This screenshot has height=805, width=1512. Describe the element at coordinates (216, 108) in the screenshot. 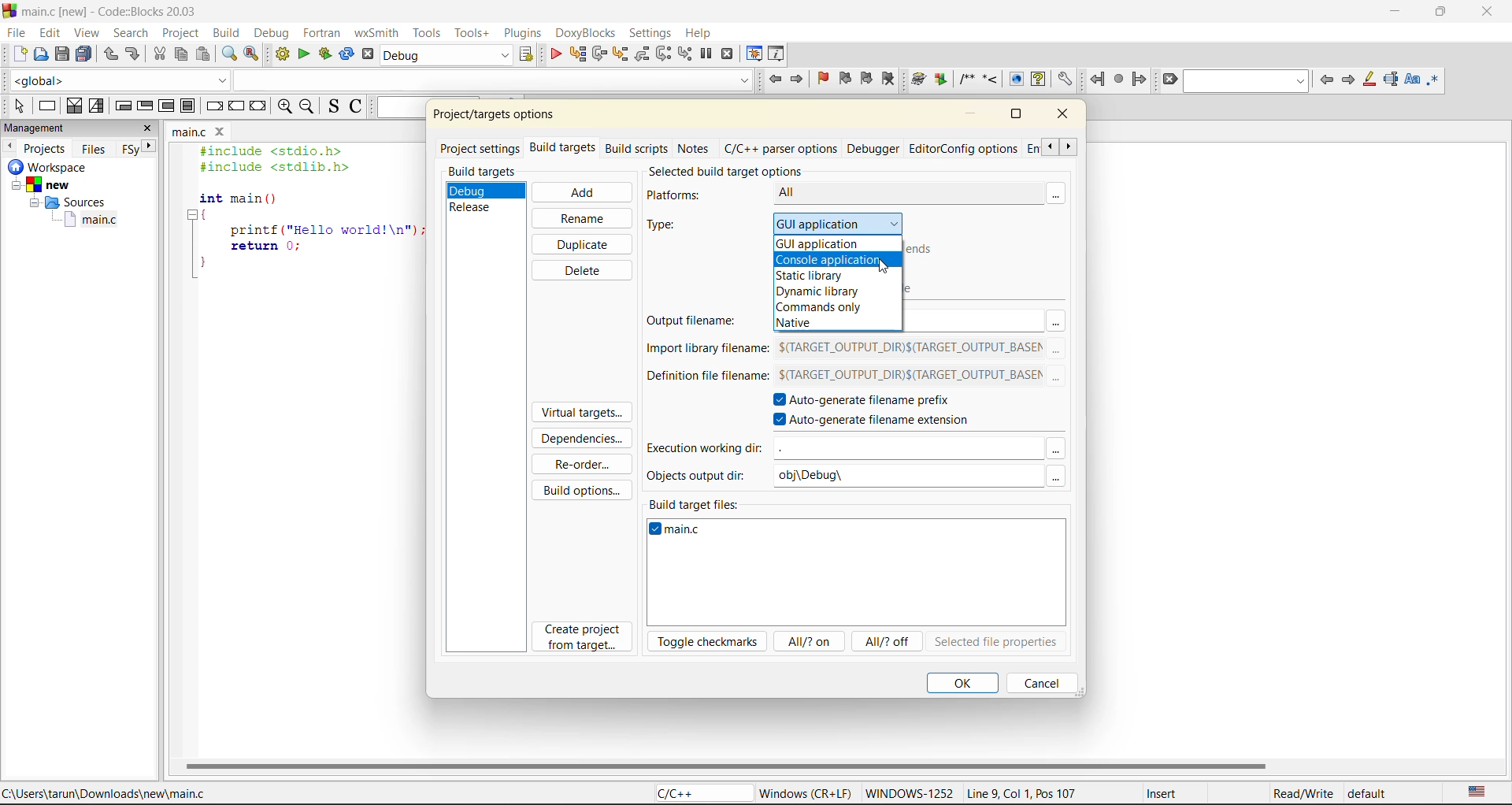

I see `break instruction` at that location.